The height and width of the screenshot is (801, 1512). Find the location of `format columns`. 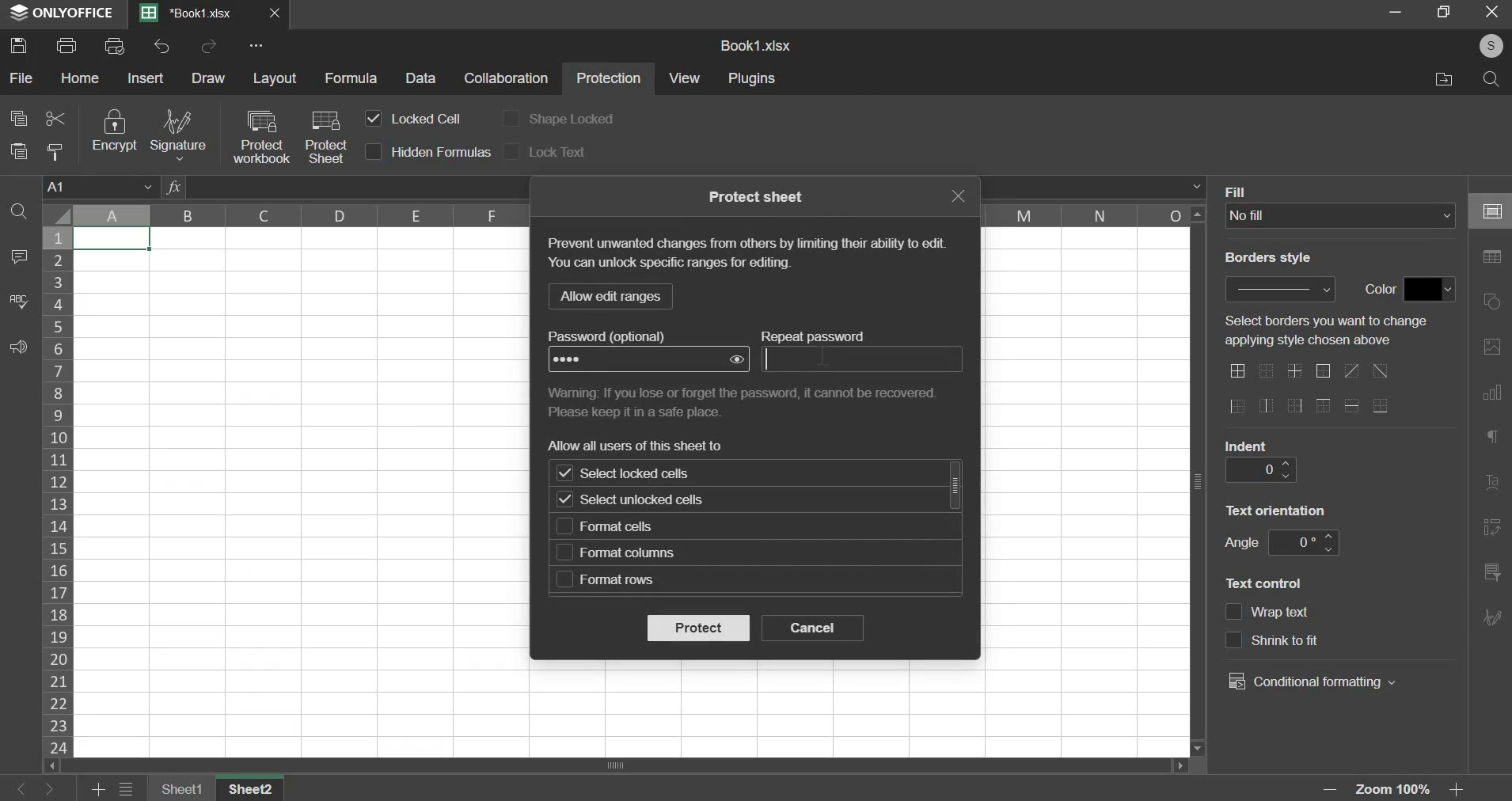

format columns is located at coordinates (629, 552).